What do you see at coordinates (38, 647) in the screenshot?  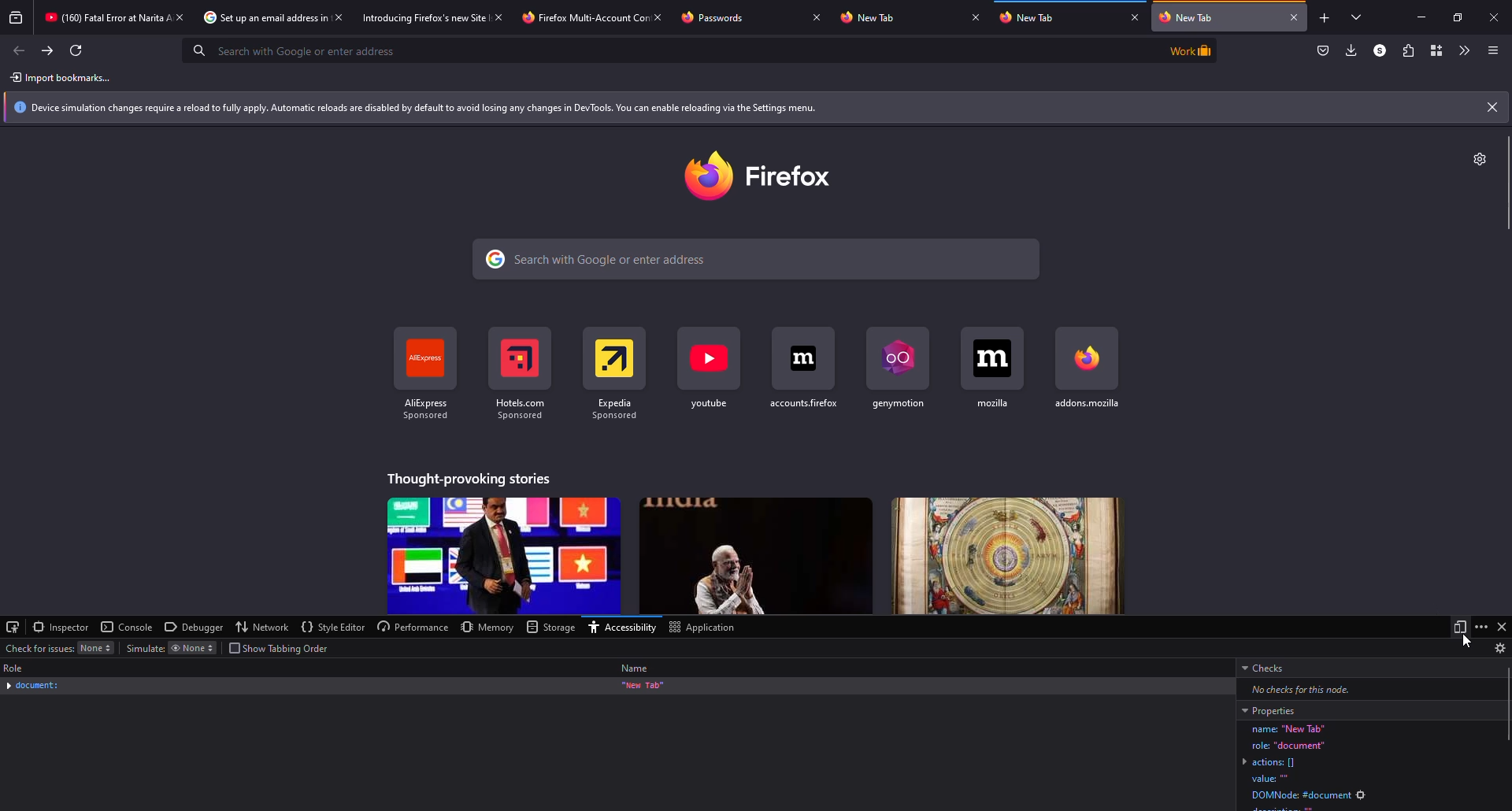 I see `check for issues` at bounding box center [38, 647].